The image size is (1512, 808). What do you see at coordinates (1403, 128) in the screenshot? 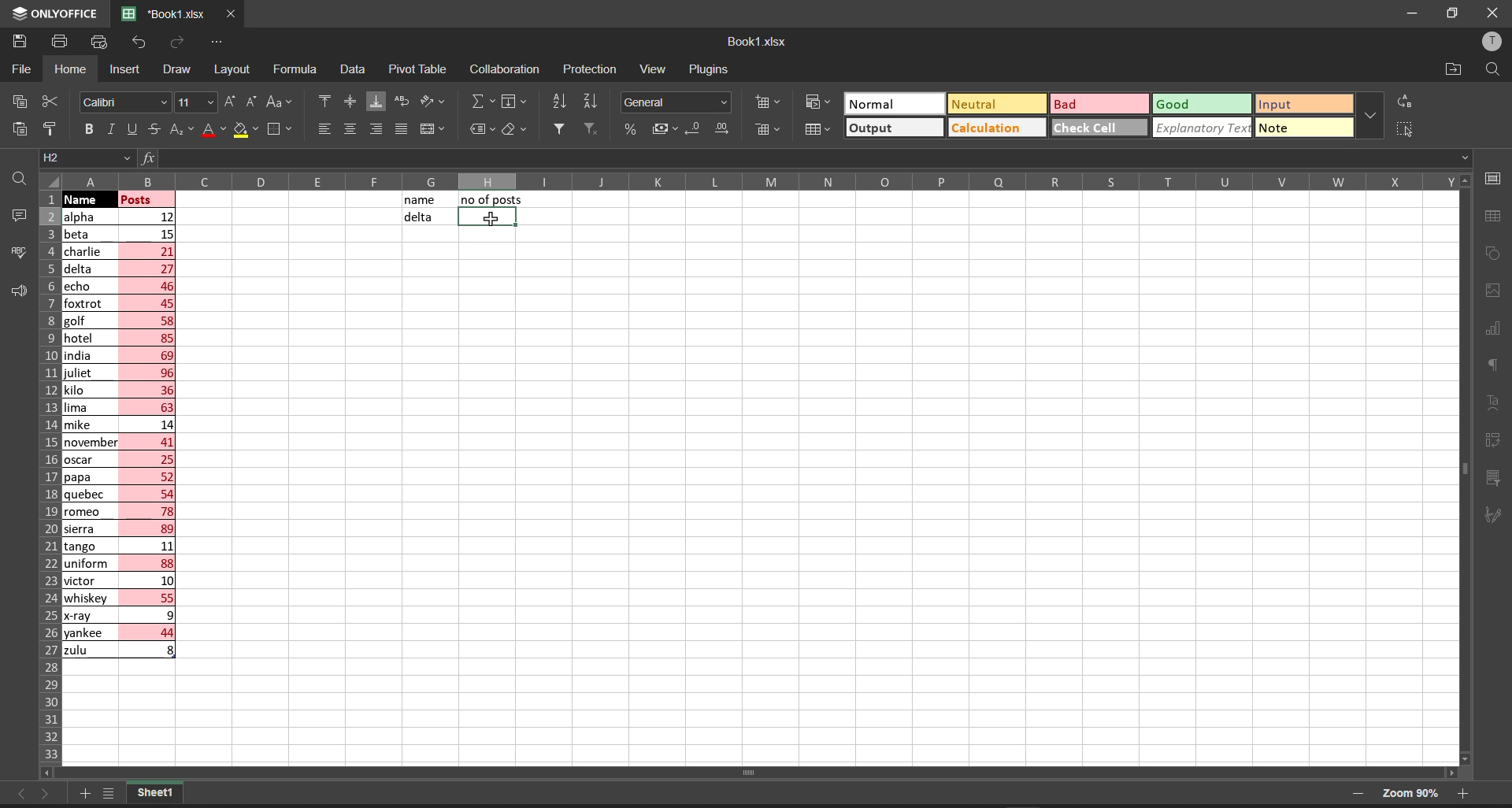
I see `select all` at bounding box center [1403, 128].